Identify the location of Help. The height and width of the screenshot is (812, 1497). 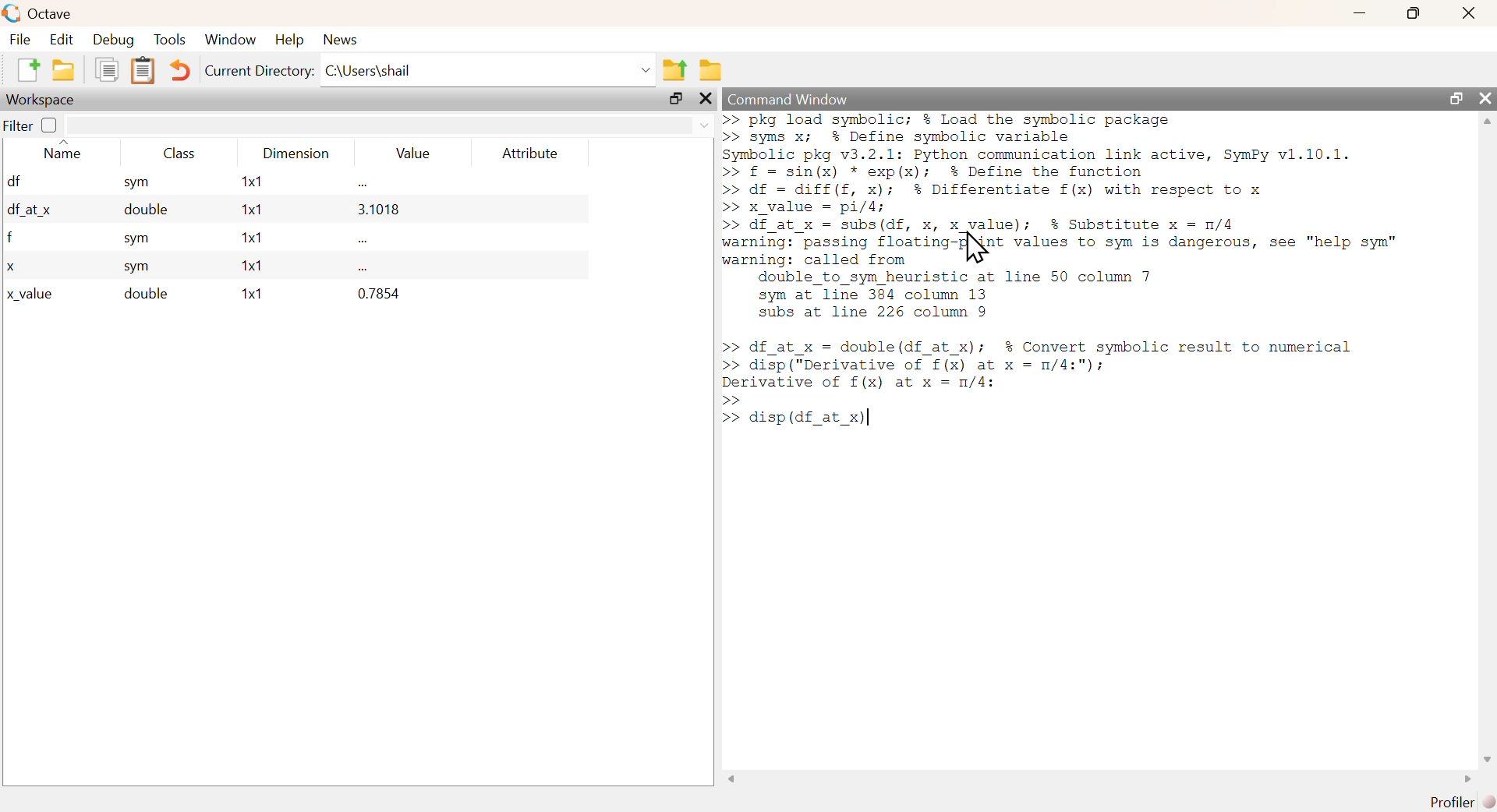
(287, 40).